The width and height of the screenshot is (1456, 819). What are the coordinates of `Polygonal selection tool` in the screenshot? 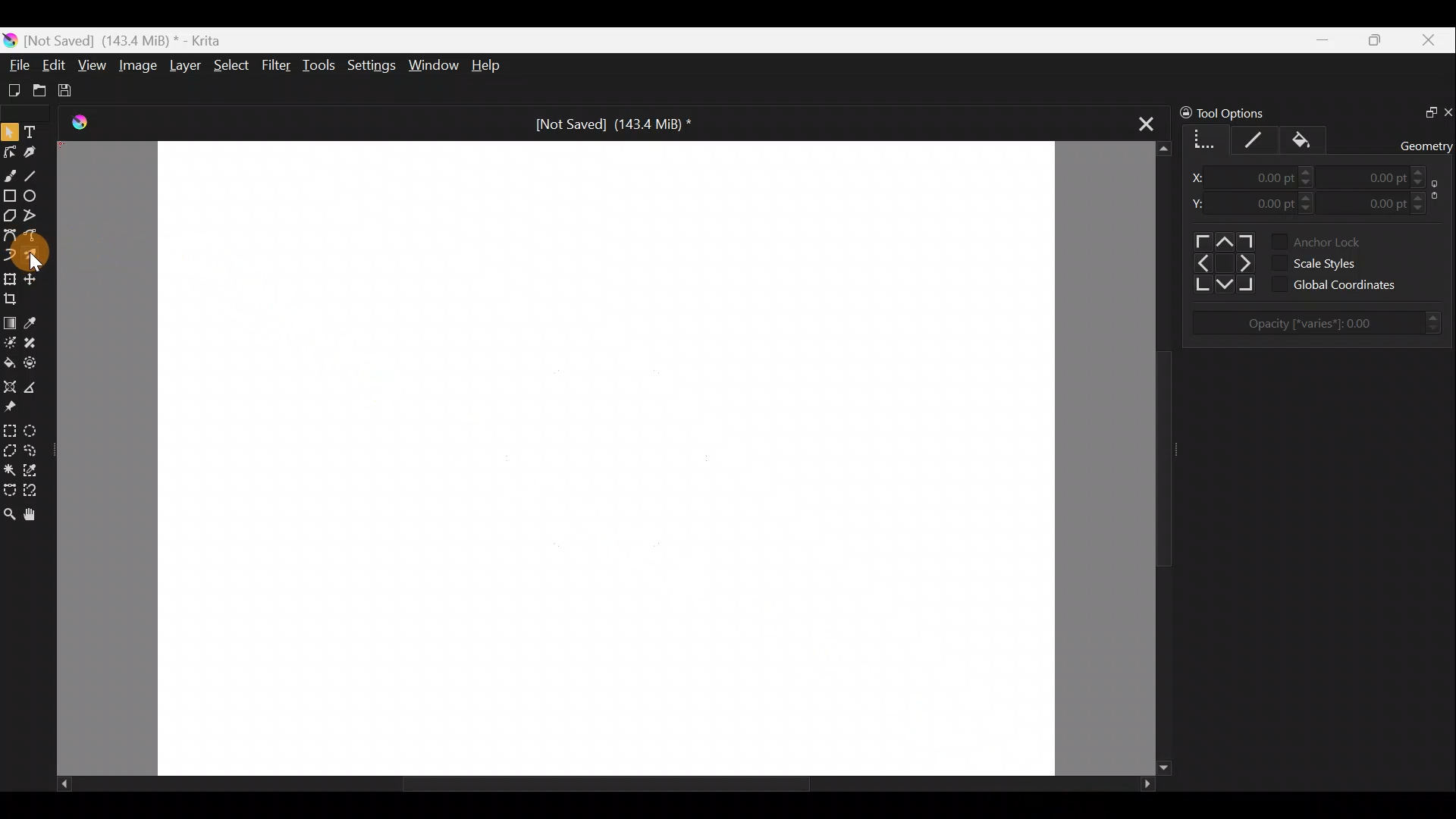 It's located at (10, 450).